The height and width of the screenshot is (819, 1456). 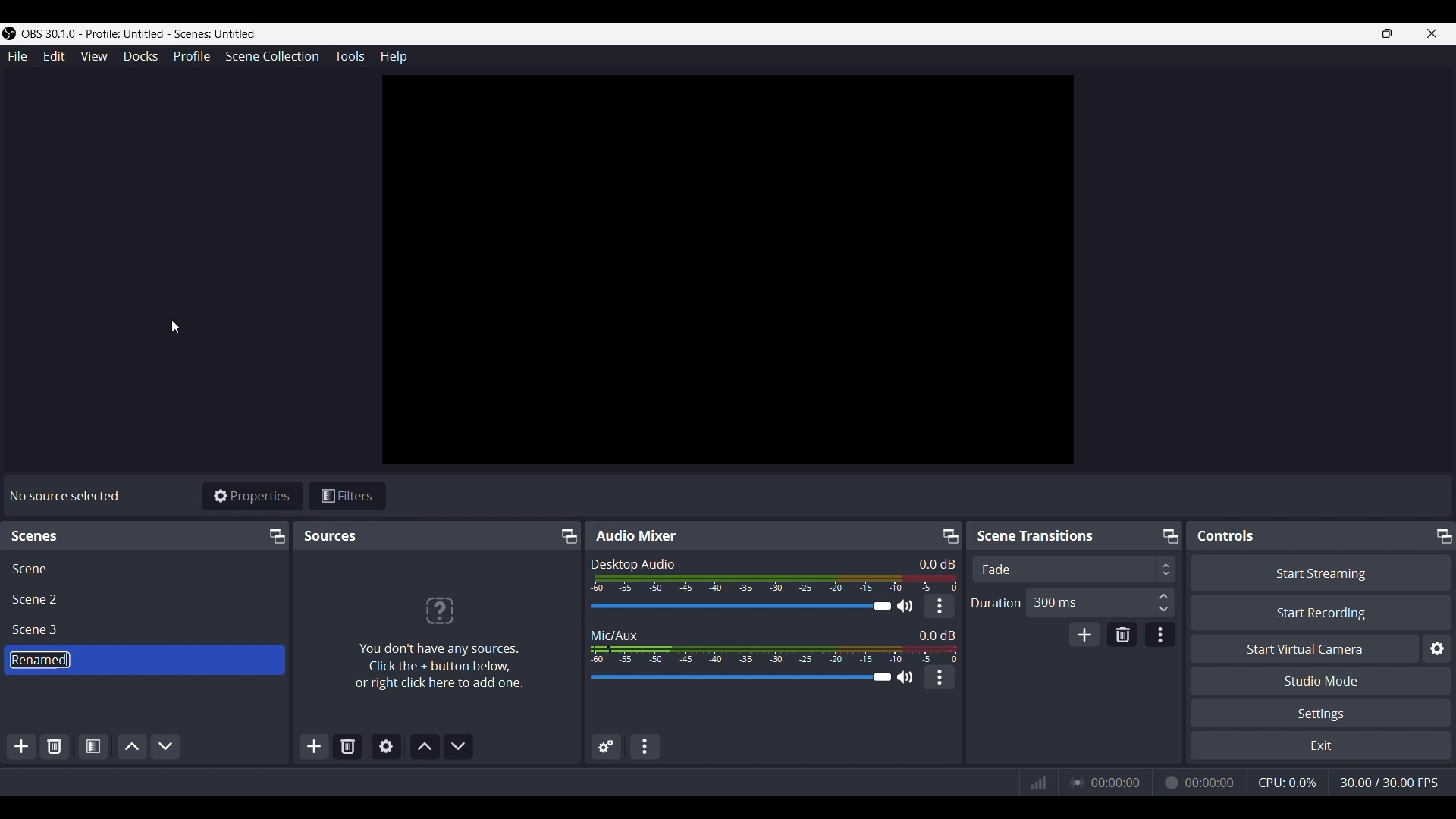 I want to click on Remove selected scene(s), so click(x=348, y=745).